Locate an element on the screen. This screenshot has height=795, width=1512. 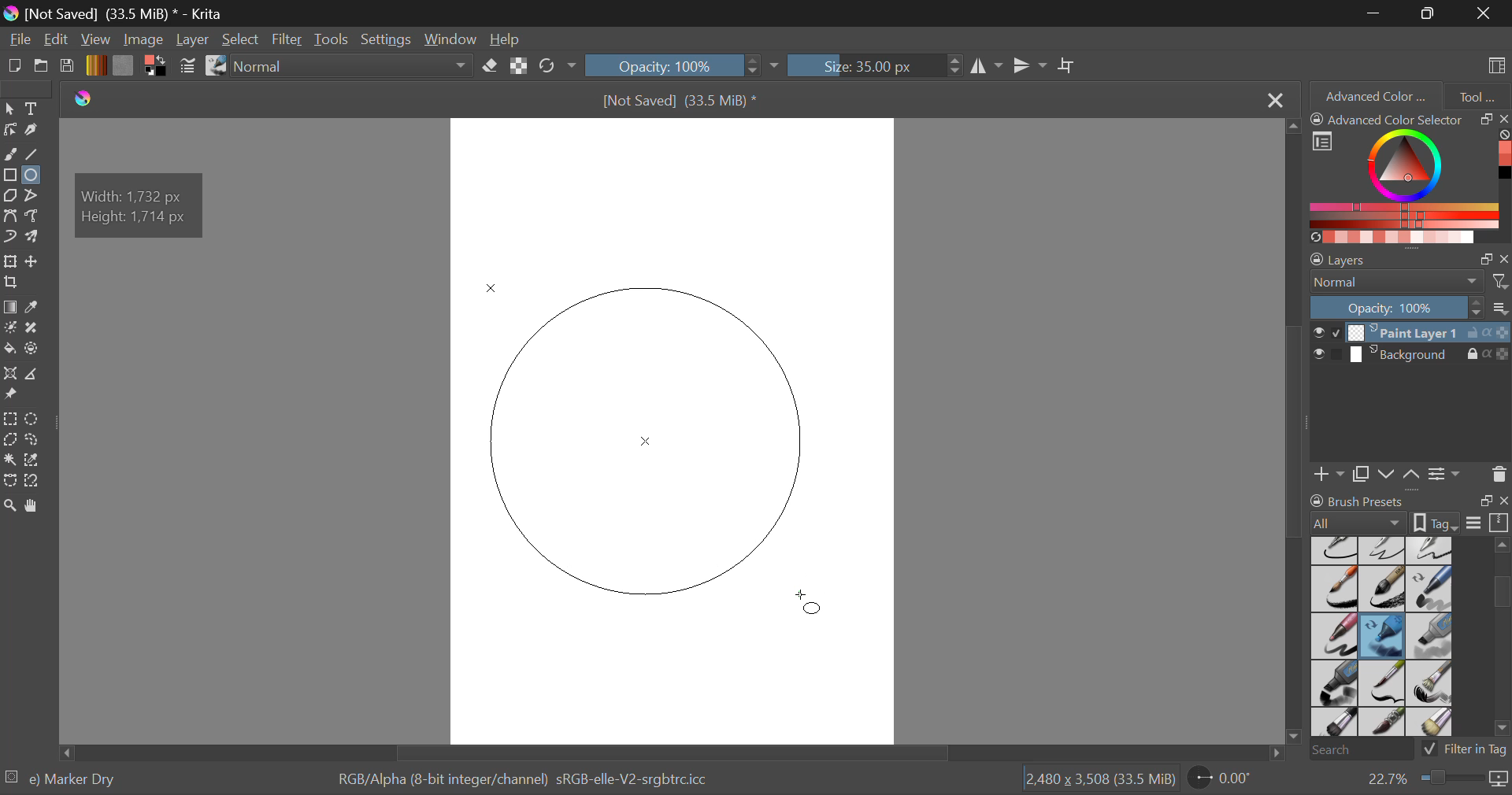
Restore Down is located at coordinates (1377, 13).